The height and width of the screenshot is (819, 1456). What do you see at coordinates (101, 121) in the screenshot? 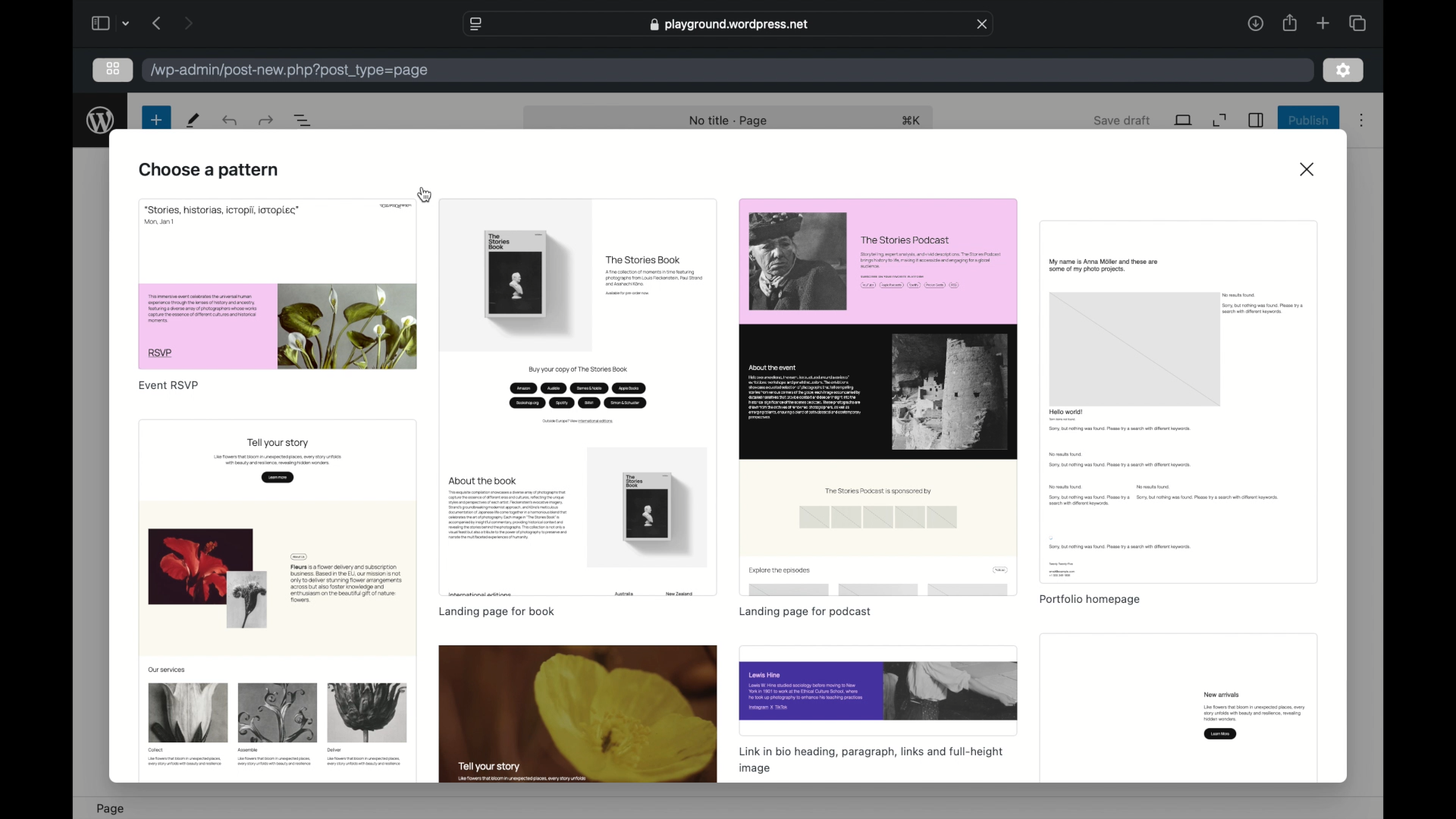
I see `wordpress` at bounding box center [101, 121].